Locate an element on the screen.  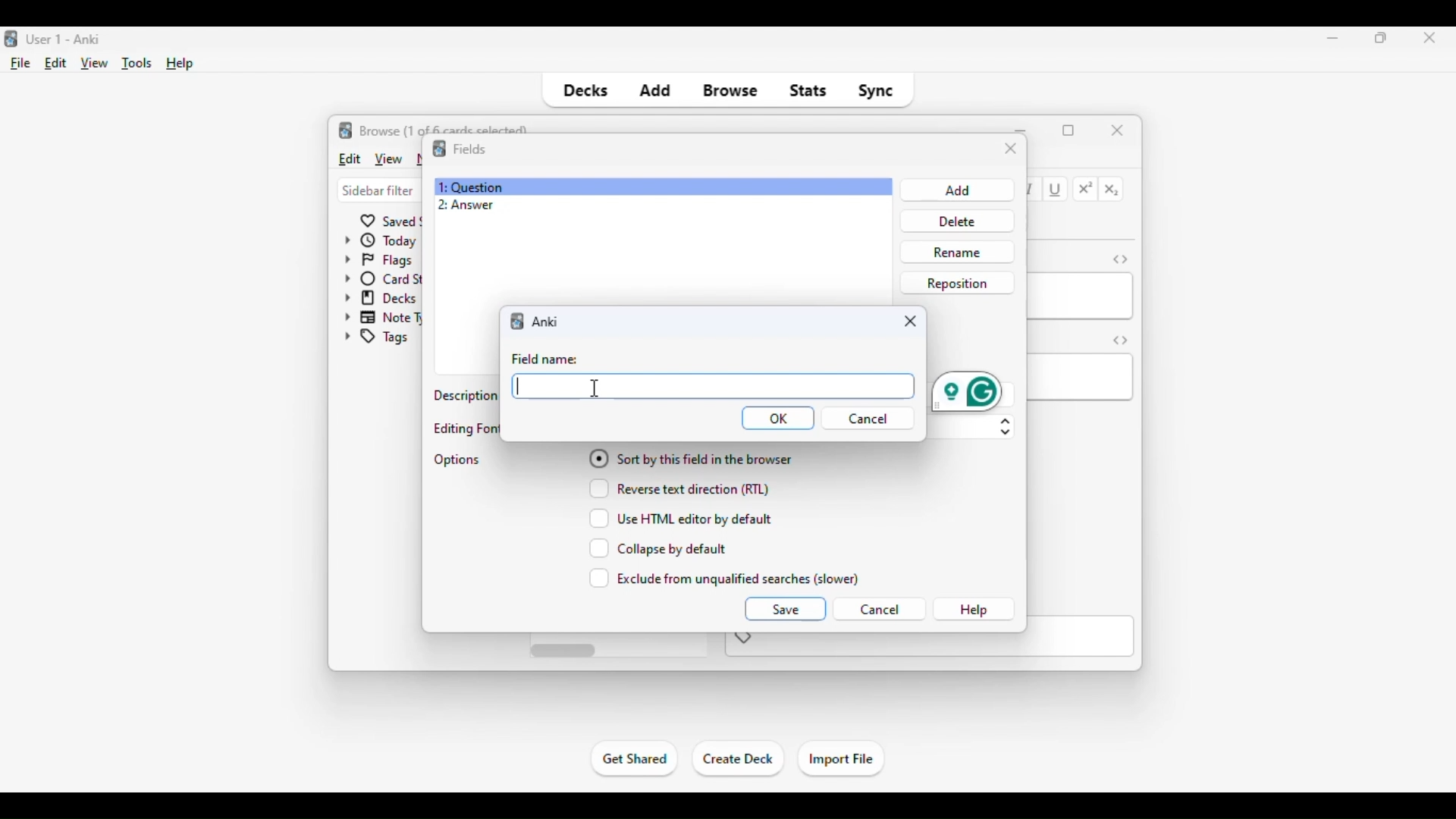
2: Answer is located at coordinates (466, 206).